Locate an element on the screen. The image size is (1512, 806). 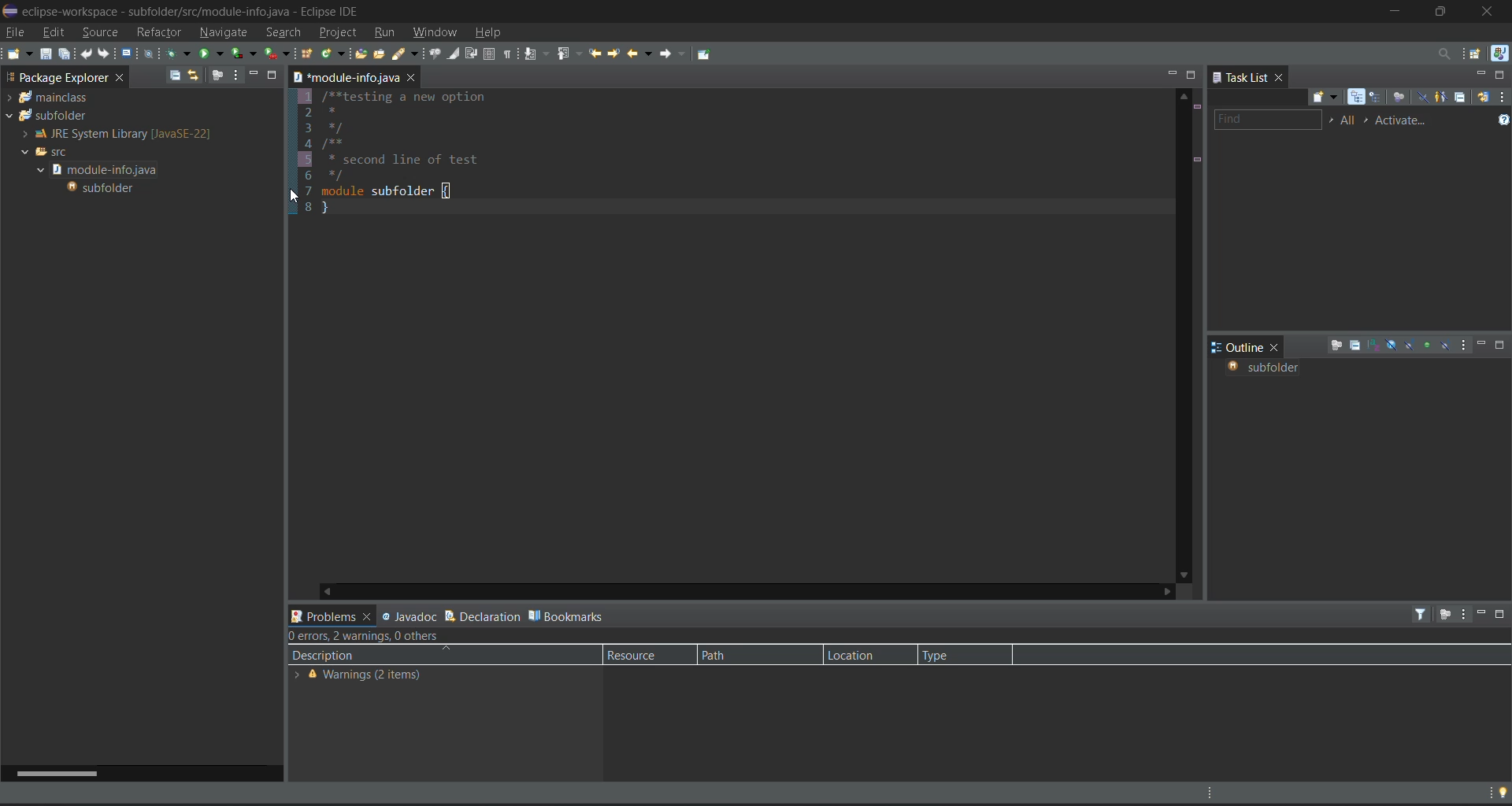
minimize is located at coordinates (1396, 10).